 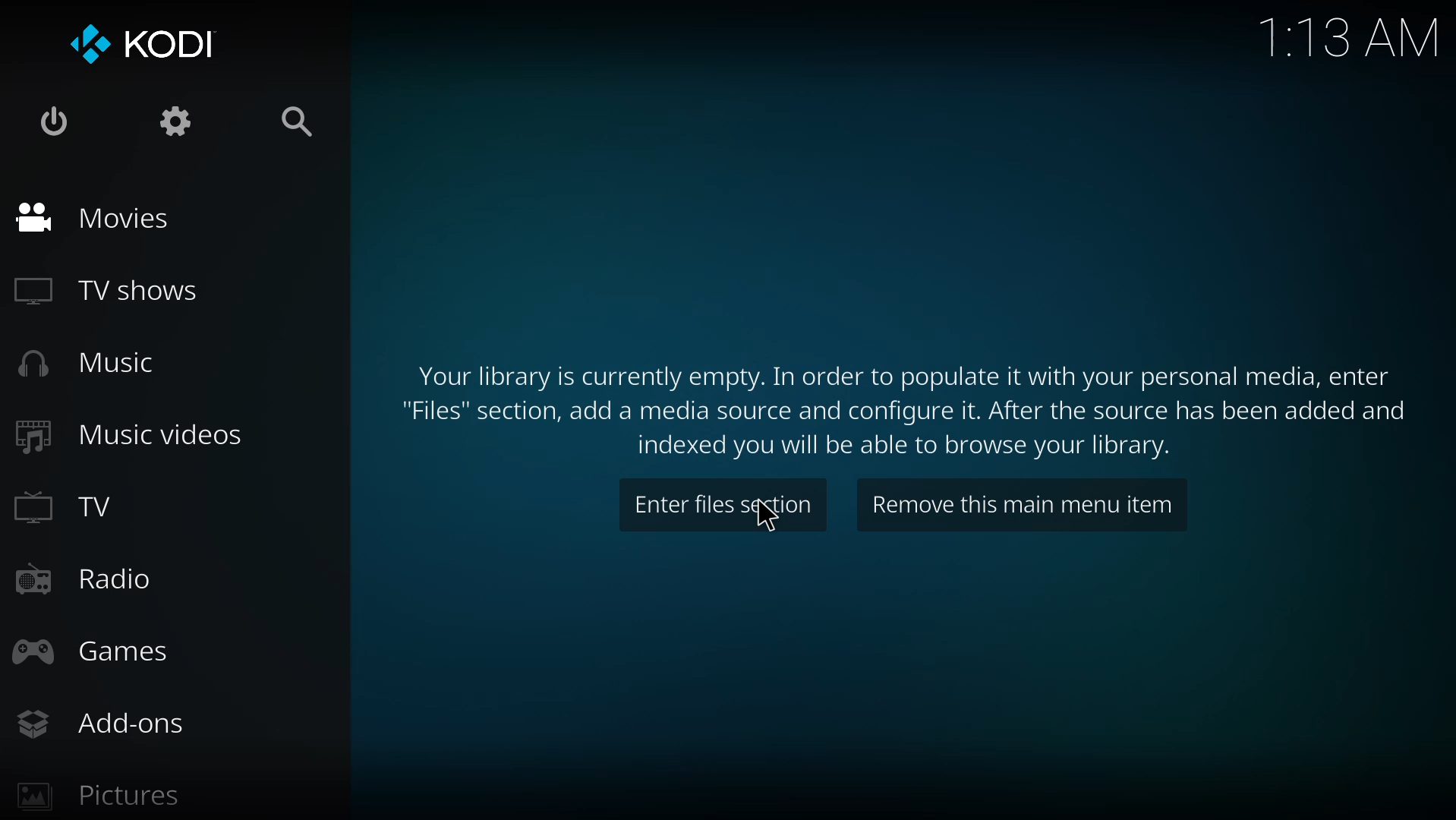 What do you see at coordinates (101, 724) in the screenshot?
I see `add-ons` at bounding box center [101, 724].